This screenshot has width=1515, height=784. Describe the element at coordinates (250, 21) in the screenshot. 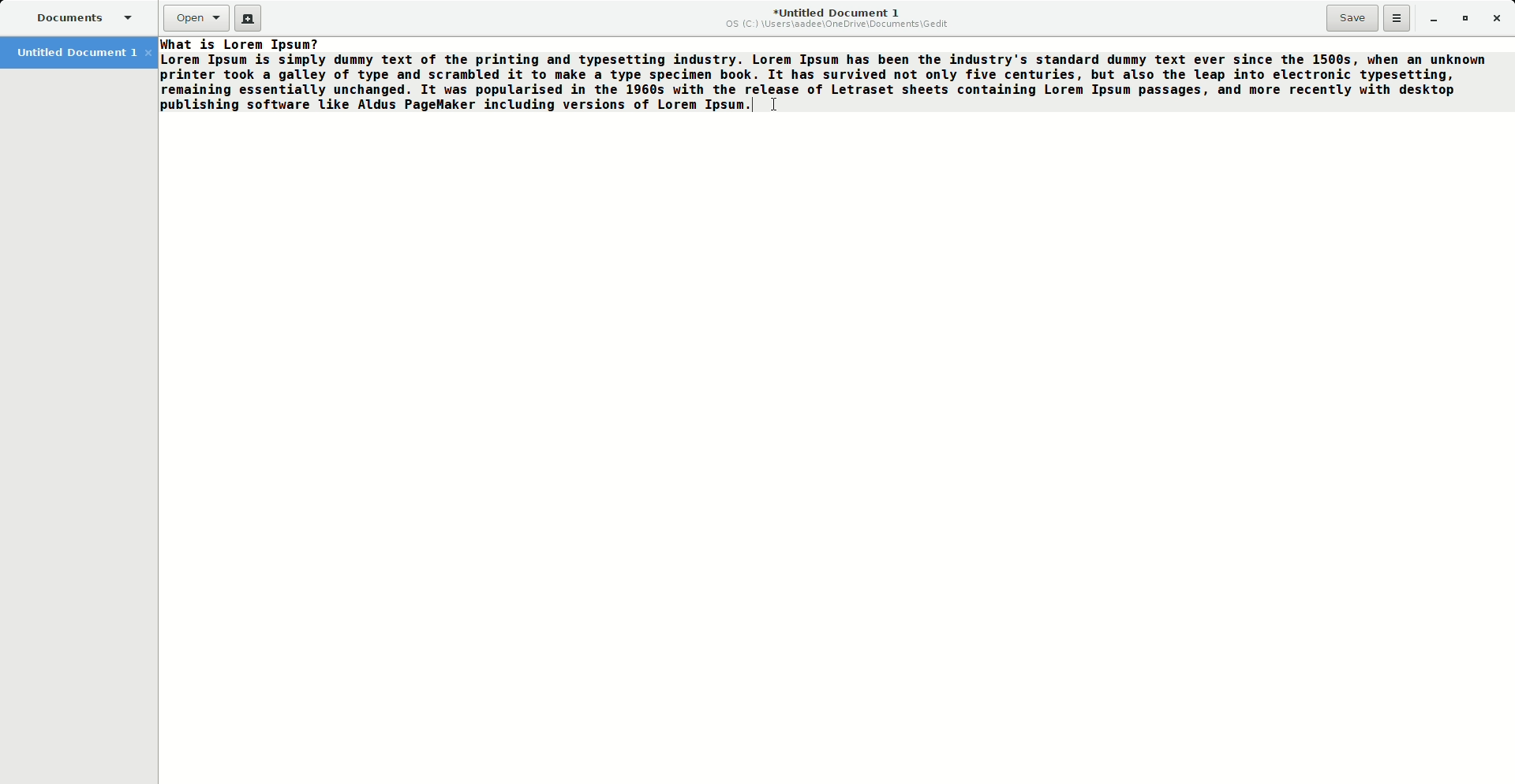

I see `New` at that location.